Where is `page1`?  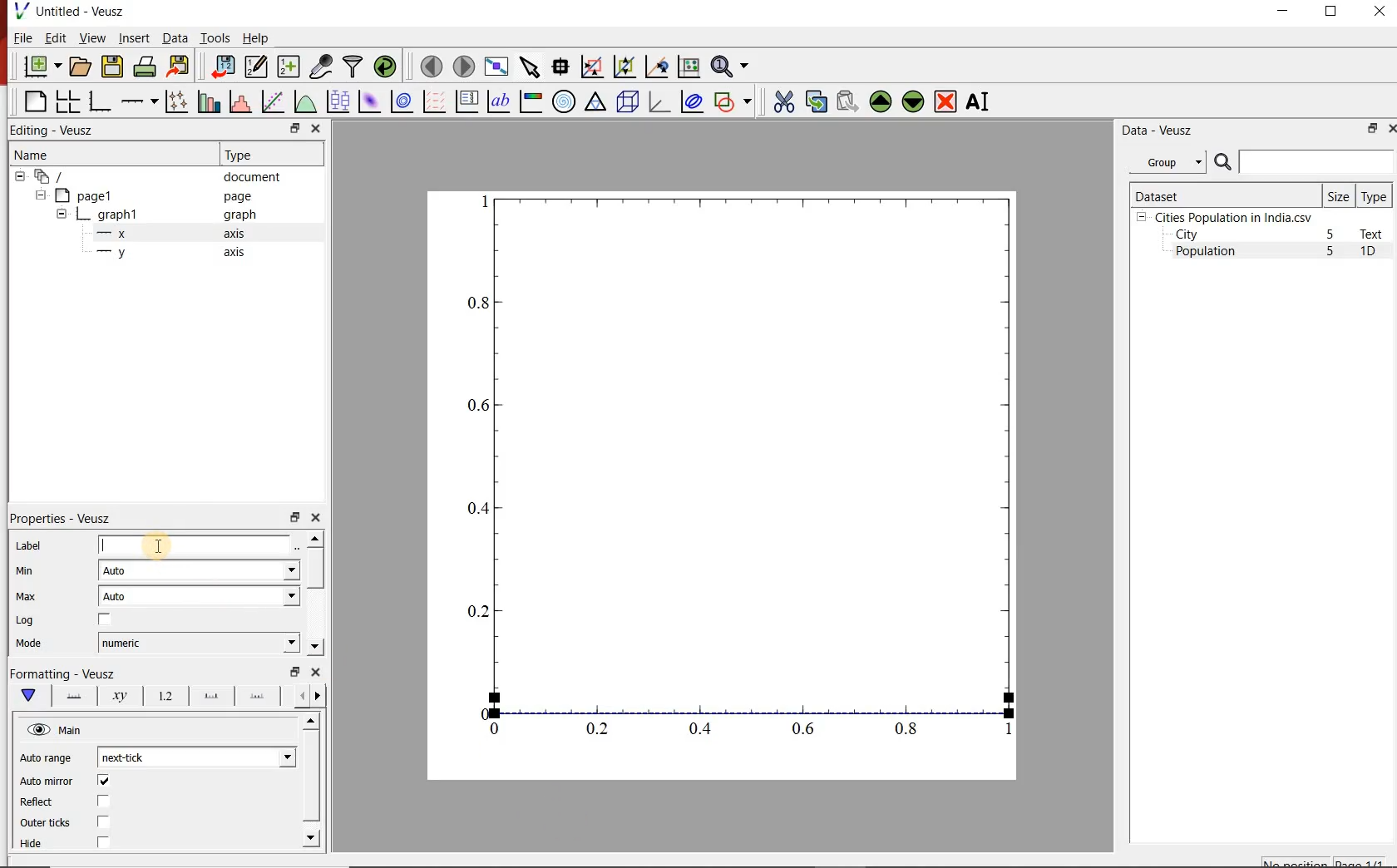 page1 is located at coordinates (149, 195).